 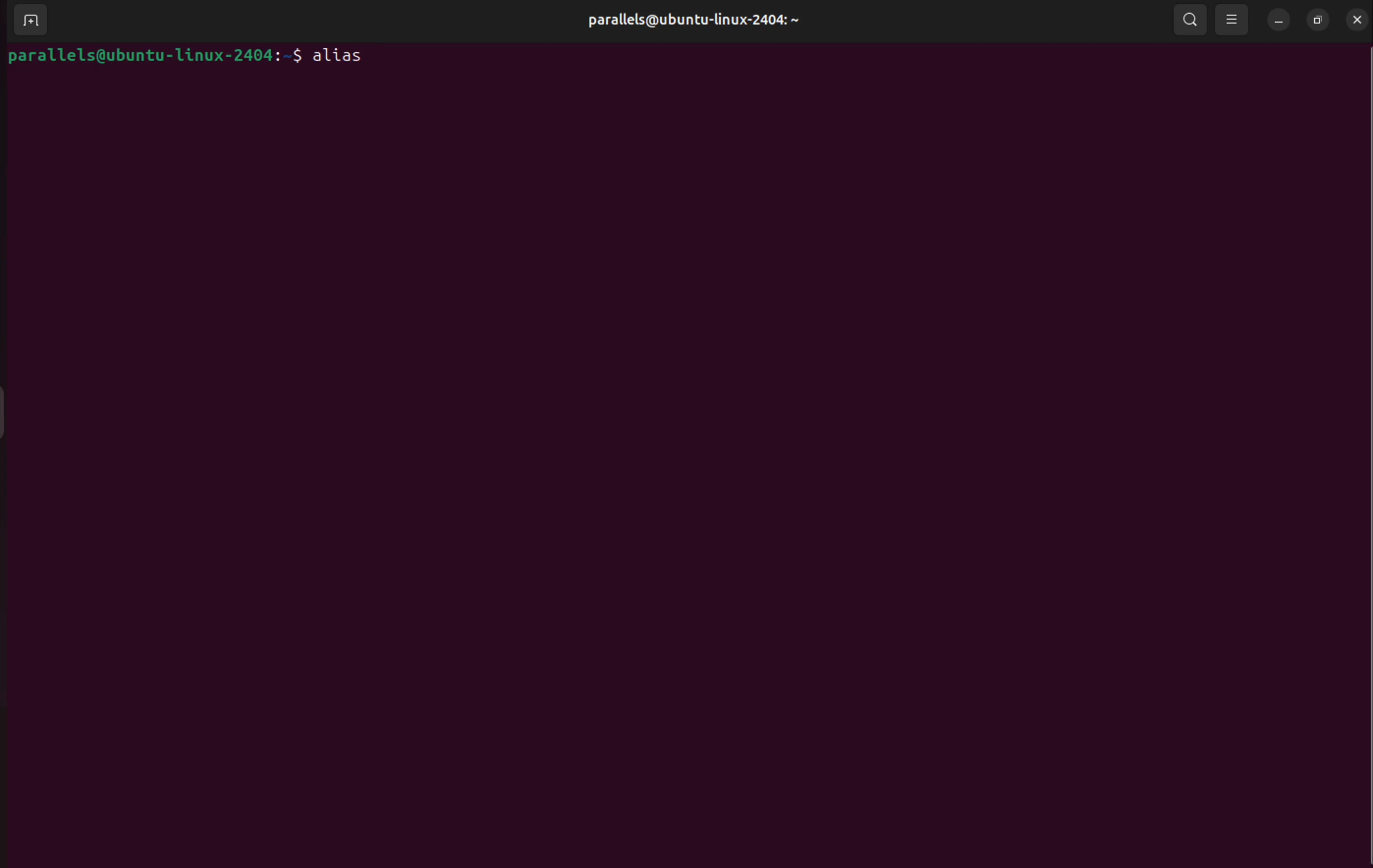 I want to click on close, so click(x=1358, y=19).